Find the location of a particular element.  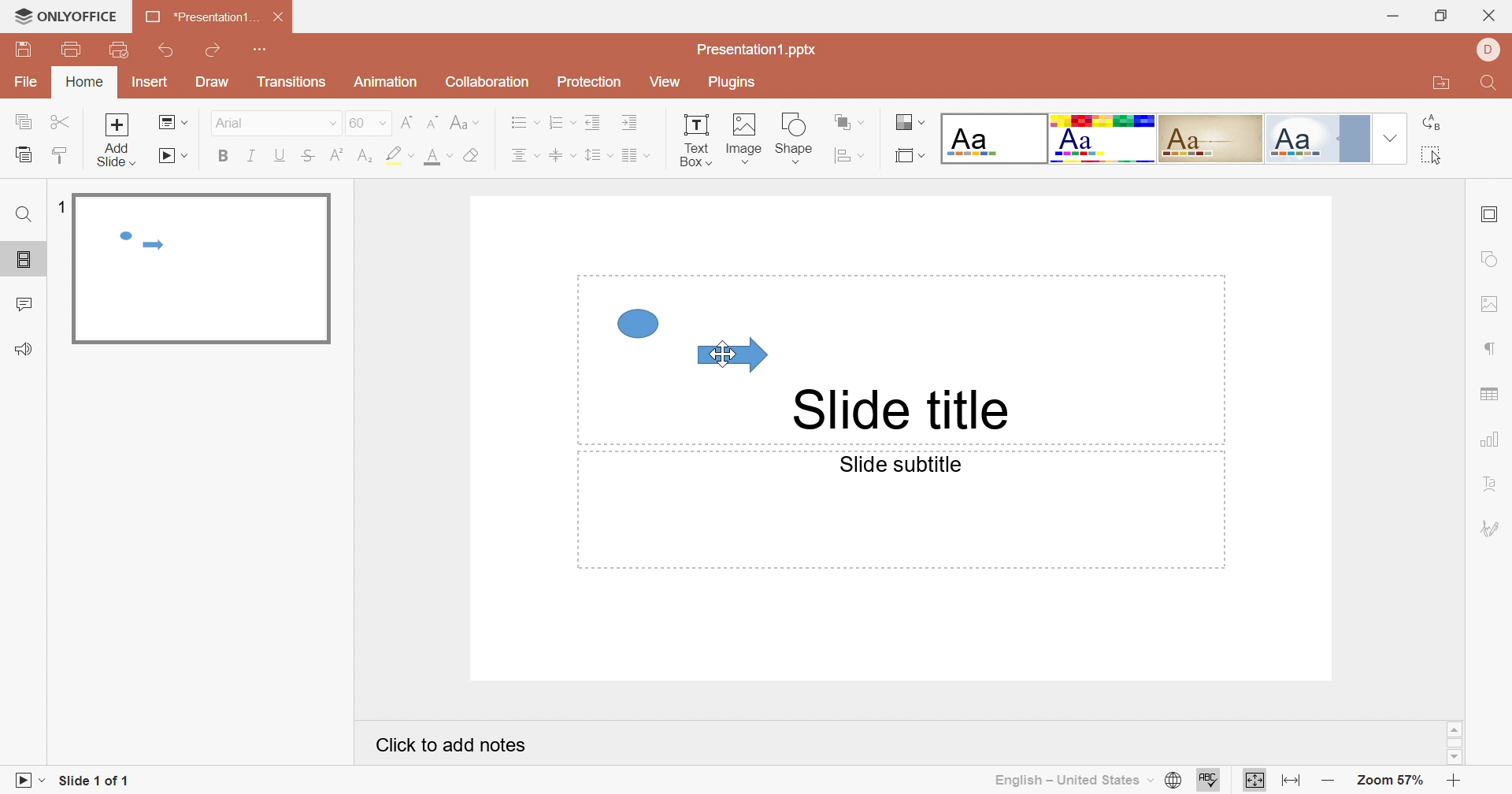

Fit to width is located at coordinates (1296, 783).